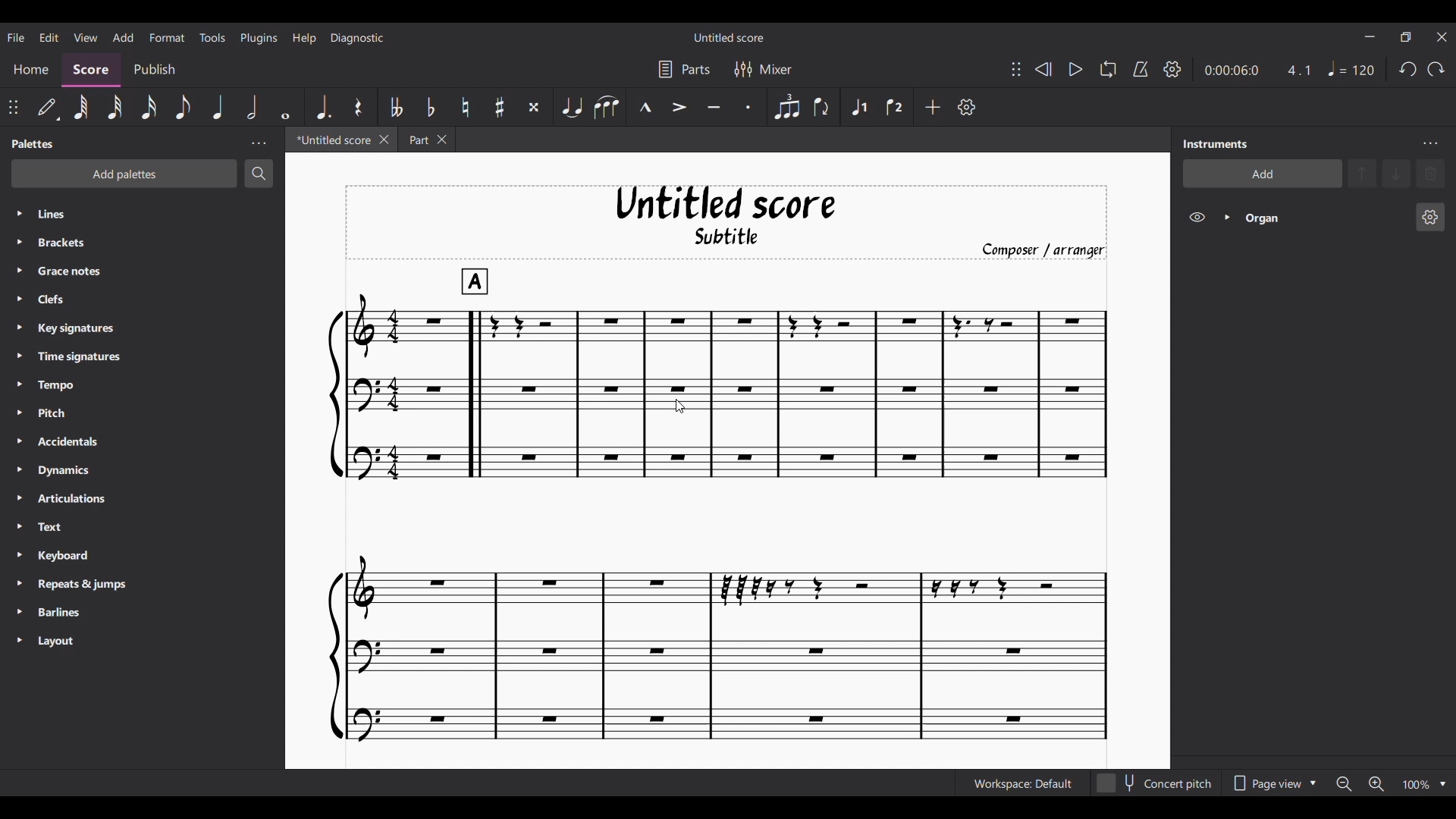  Describe the element at coordinates (727, 222) in the screenshot. I see `Title, sub-title, and composer name of score` at that location.